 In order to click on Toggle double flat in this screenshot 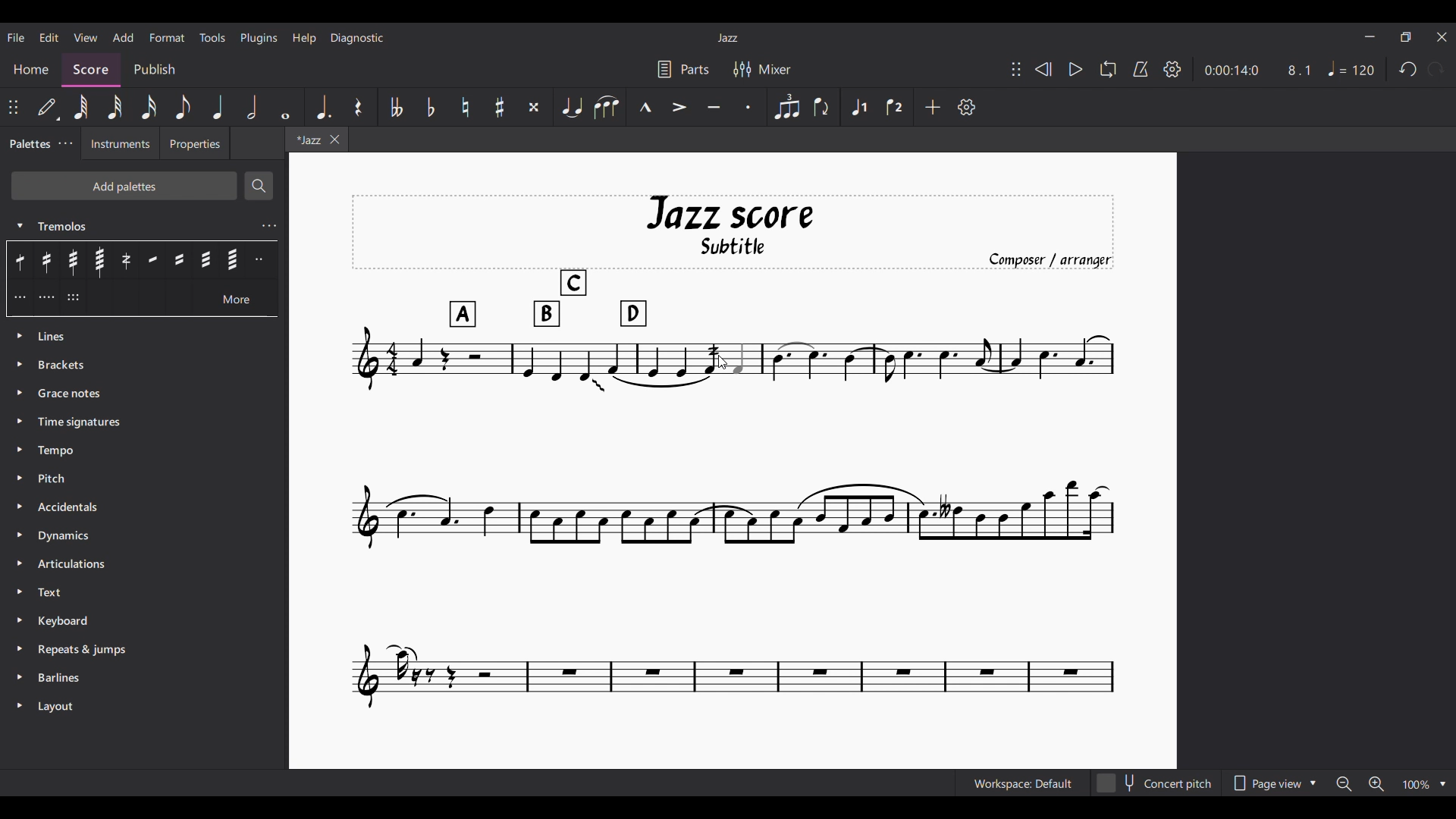, I will do `click(396, 106)`.